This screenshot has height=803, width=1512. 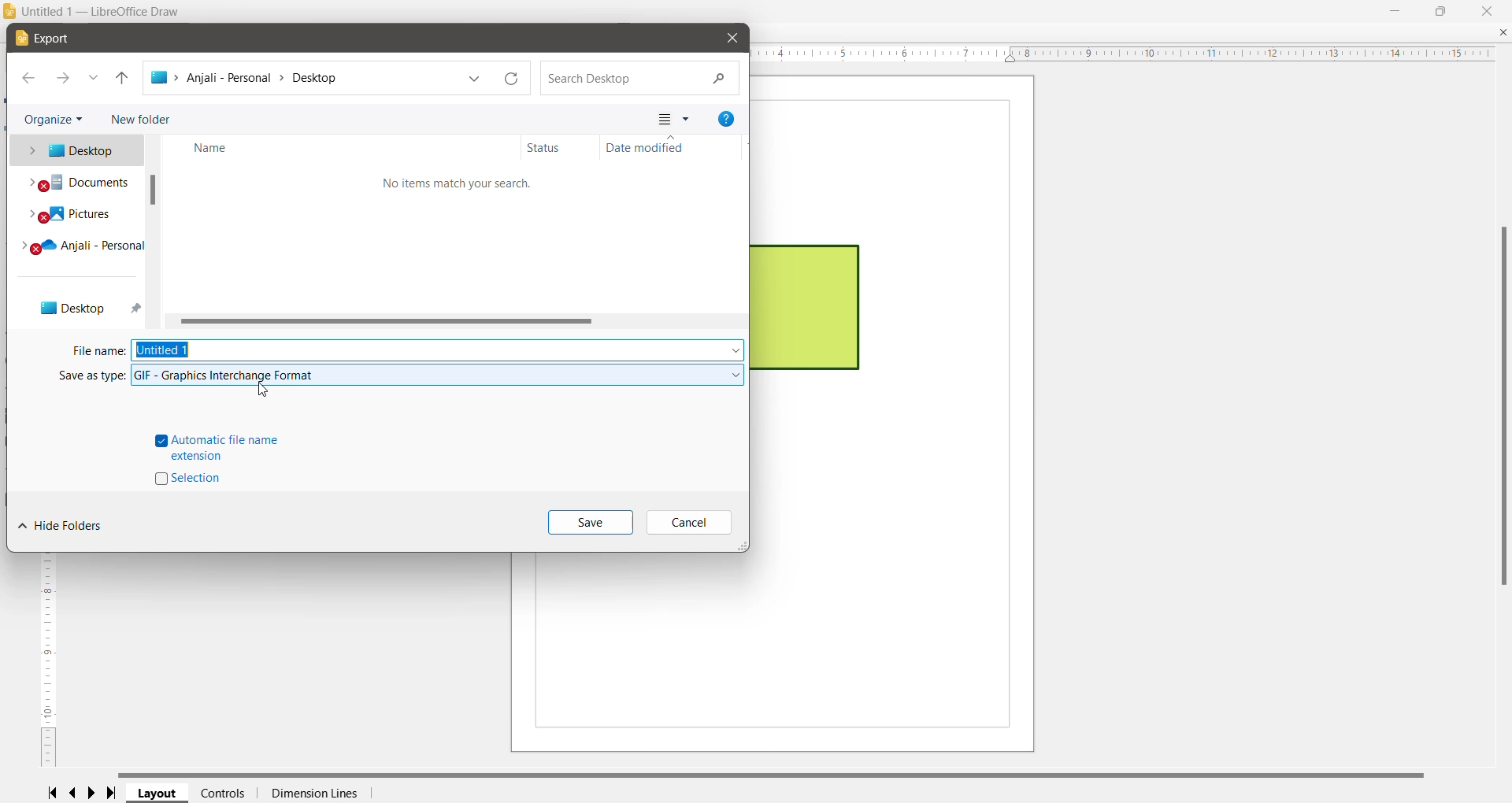 I want to click on vertical ruler, so click(x=45, y=662).